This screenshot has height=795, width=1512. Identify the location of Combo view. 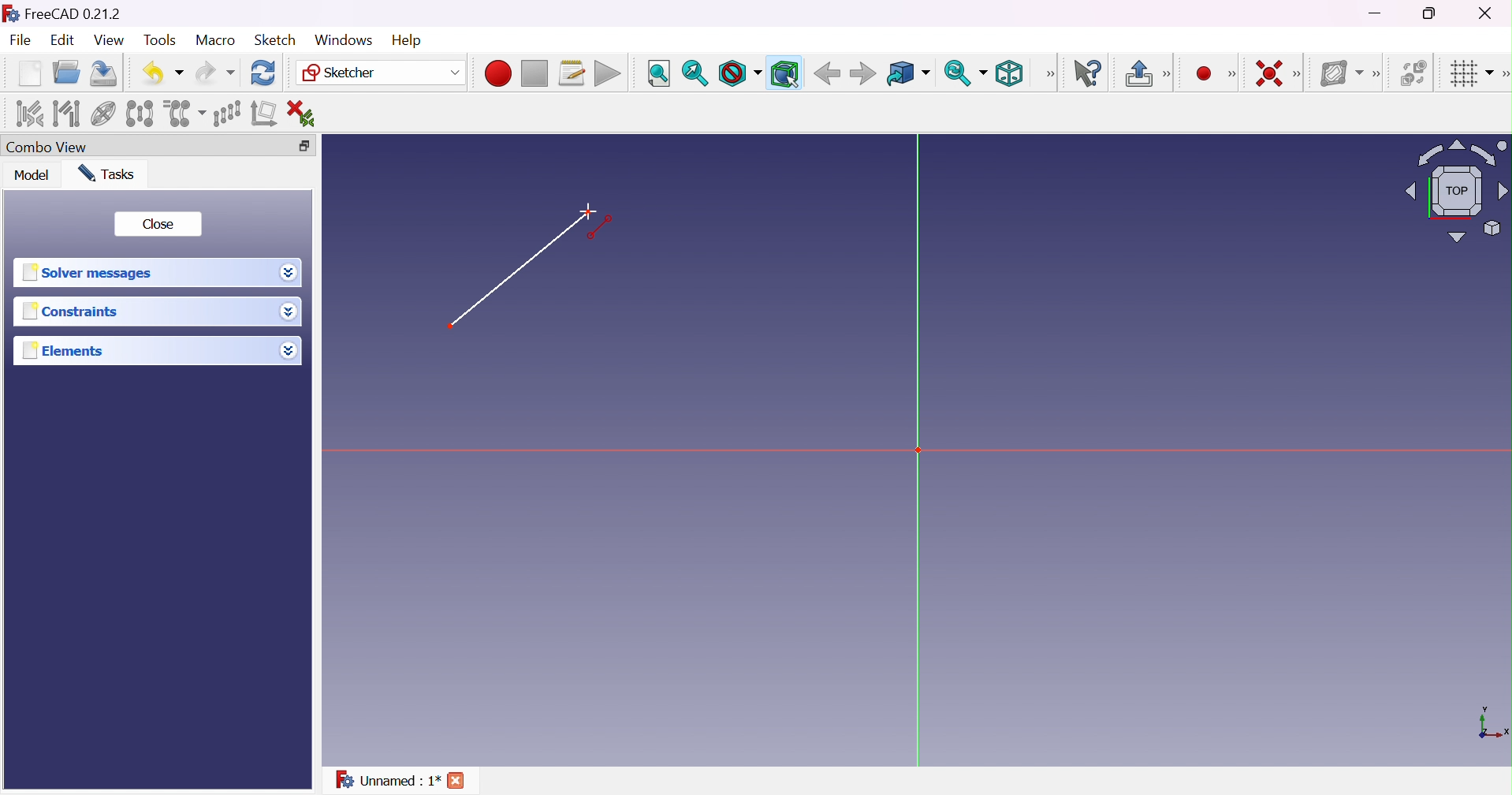
(50, 147).